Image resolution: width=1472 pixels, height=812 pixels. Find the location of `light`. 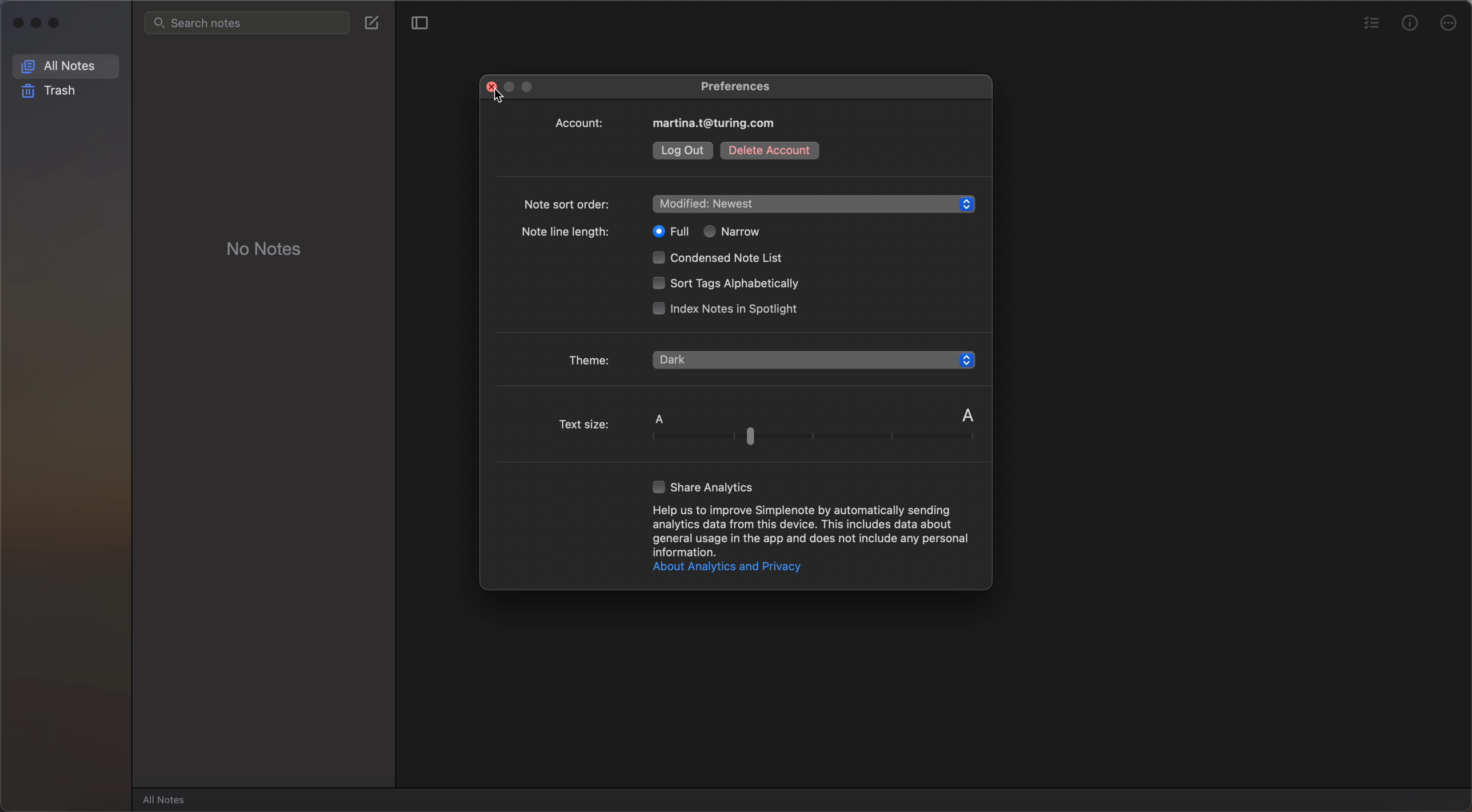

light is located at coordinates (674, 399).